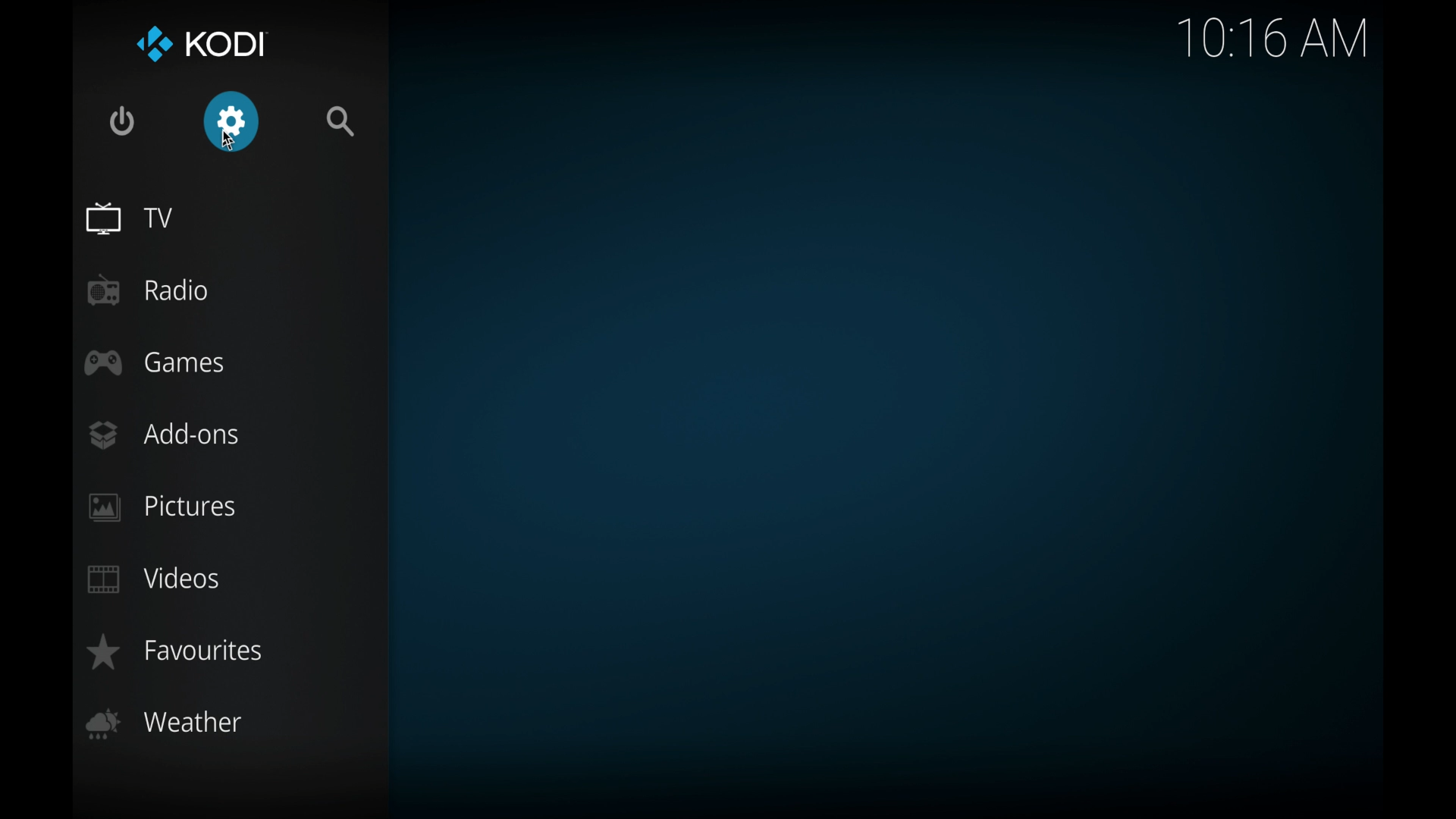  What do you see at coordinates (165, 435) in the screenshot?
I see `add-ons` at bounding box center [165, 435].